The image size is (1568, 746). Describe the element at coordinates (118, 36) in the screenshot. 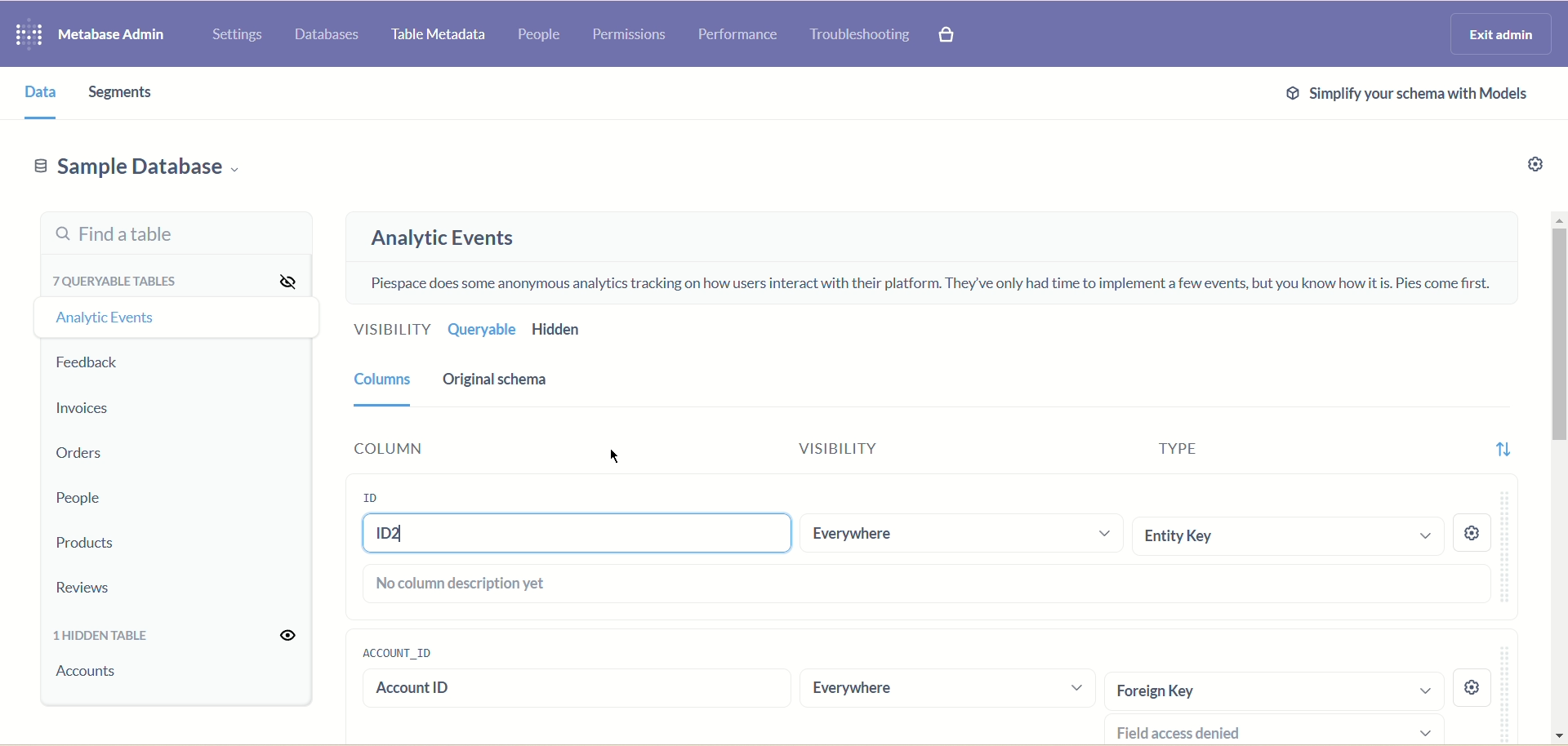

I see `Metabase admin` at that location.